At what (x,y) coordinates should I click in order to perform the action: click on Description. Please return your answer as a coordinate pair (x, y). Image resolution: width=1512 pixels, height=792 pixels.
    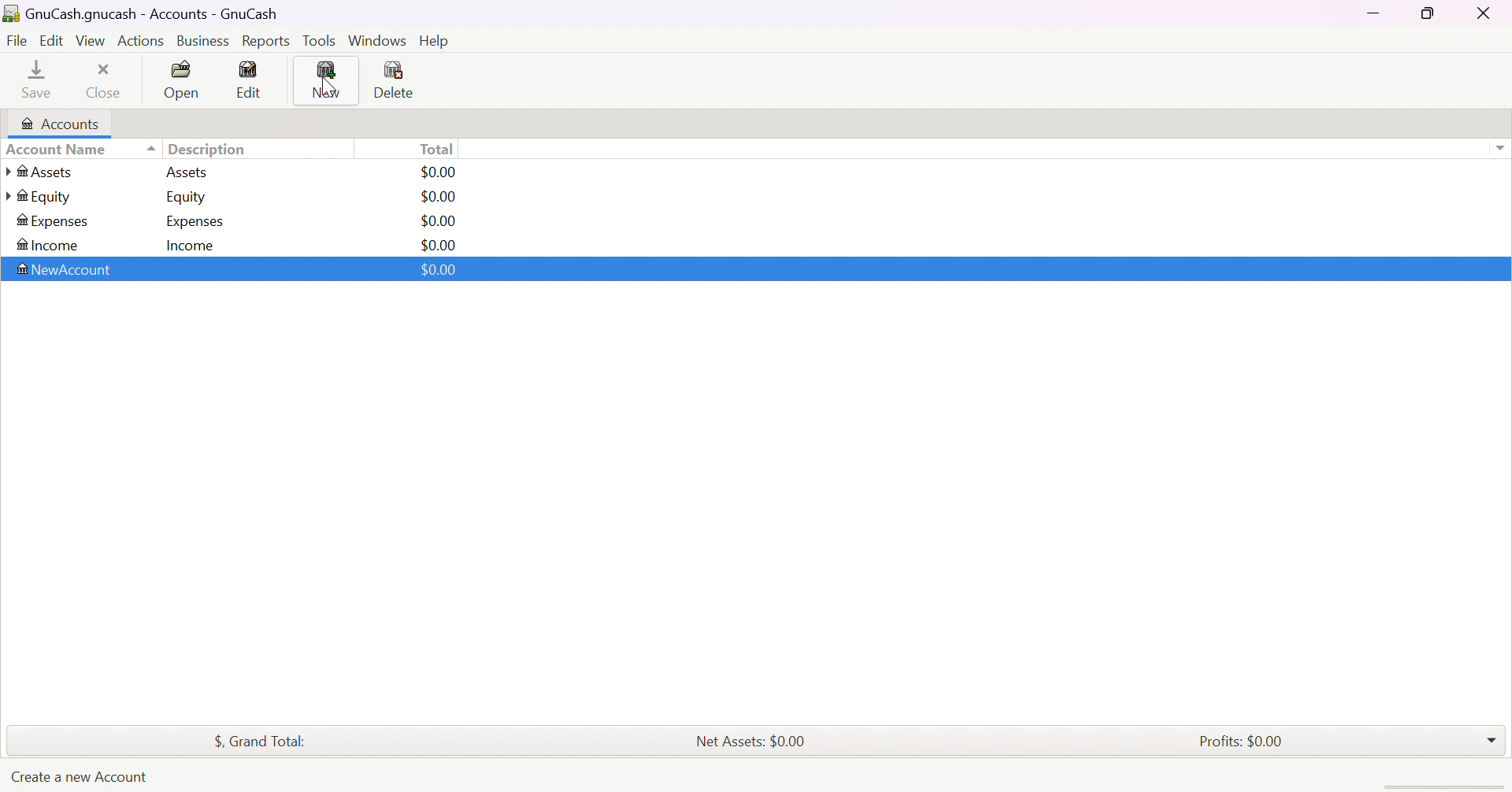
    Looking at the image, I should click on (212, 148).